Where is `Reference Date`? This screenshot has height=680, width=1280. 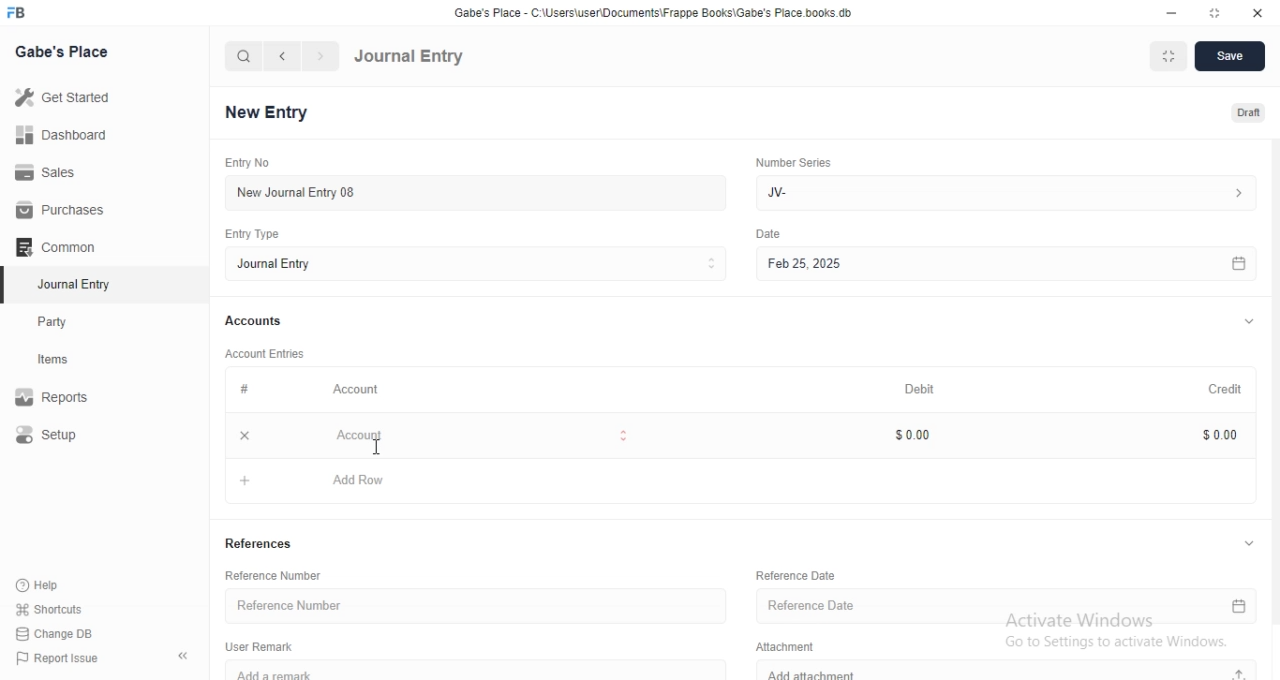 Reference Date is located at coordinates (793, 574).